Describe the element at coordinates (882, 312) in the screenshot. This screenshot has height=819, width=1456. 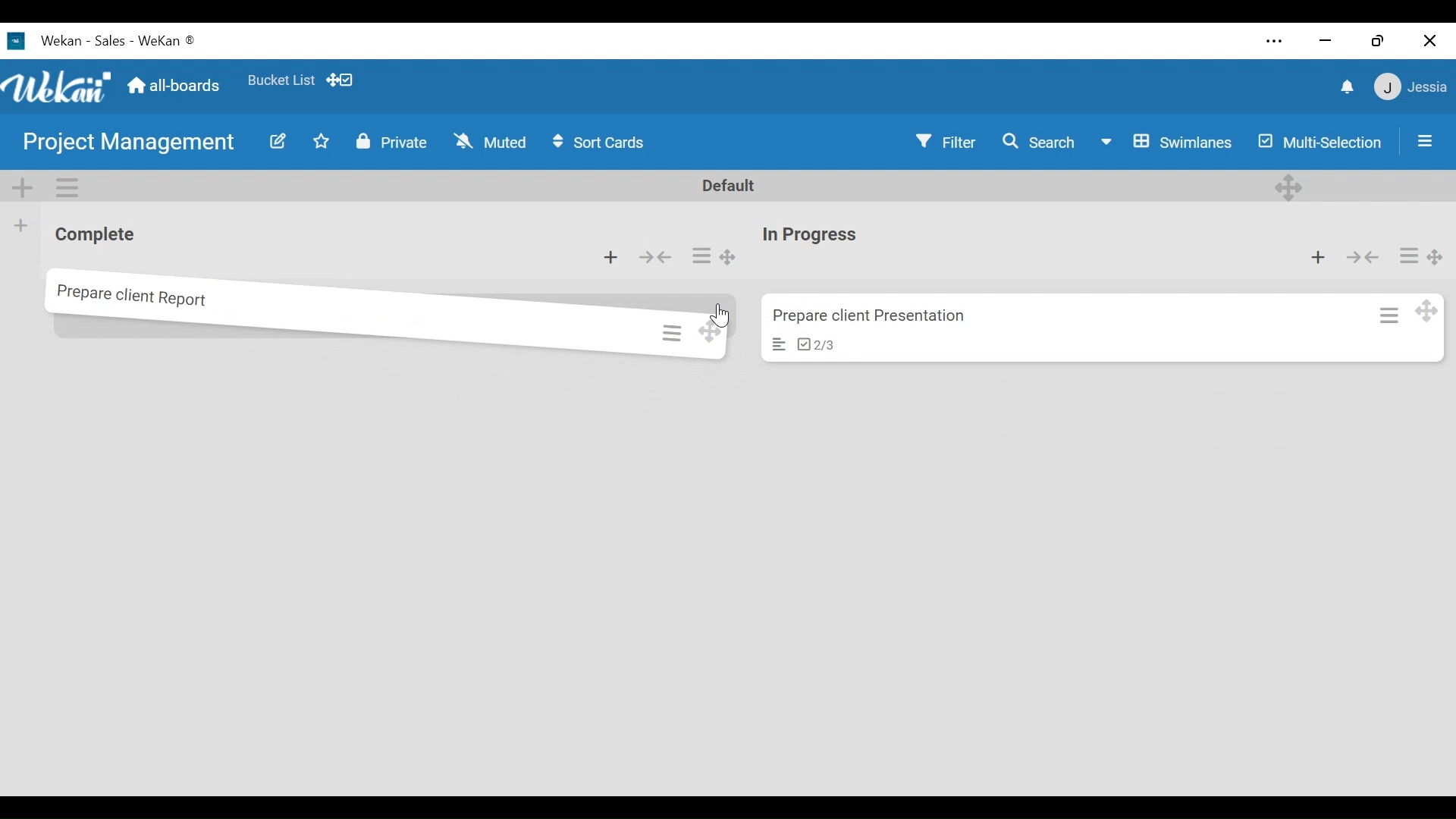
I see `prepare client presentations` at that location.